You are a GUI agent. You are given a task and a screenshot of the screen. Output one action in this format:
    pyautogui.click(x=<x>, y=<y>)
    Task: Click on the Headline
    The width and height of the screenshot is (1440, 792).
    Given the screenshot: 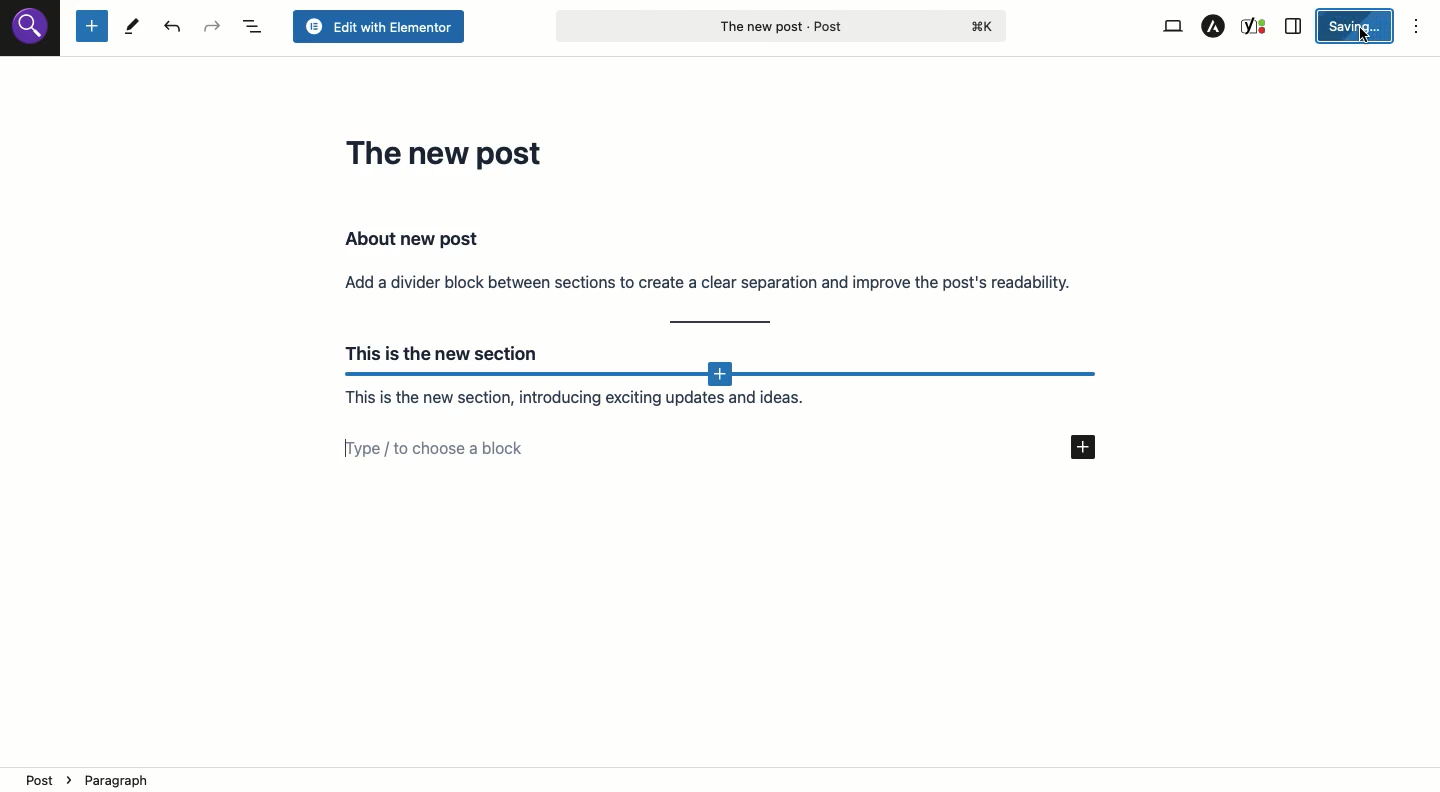 What is the action you would take?
    pyautogui.click(x=449, y=152)
    